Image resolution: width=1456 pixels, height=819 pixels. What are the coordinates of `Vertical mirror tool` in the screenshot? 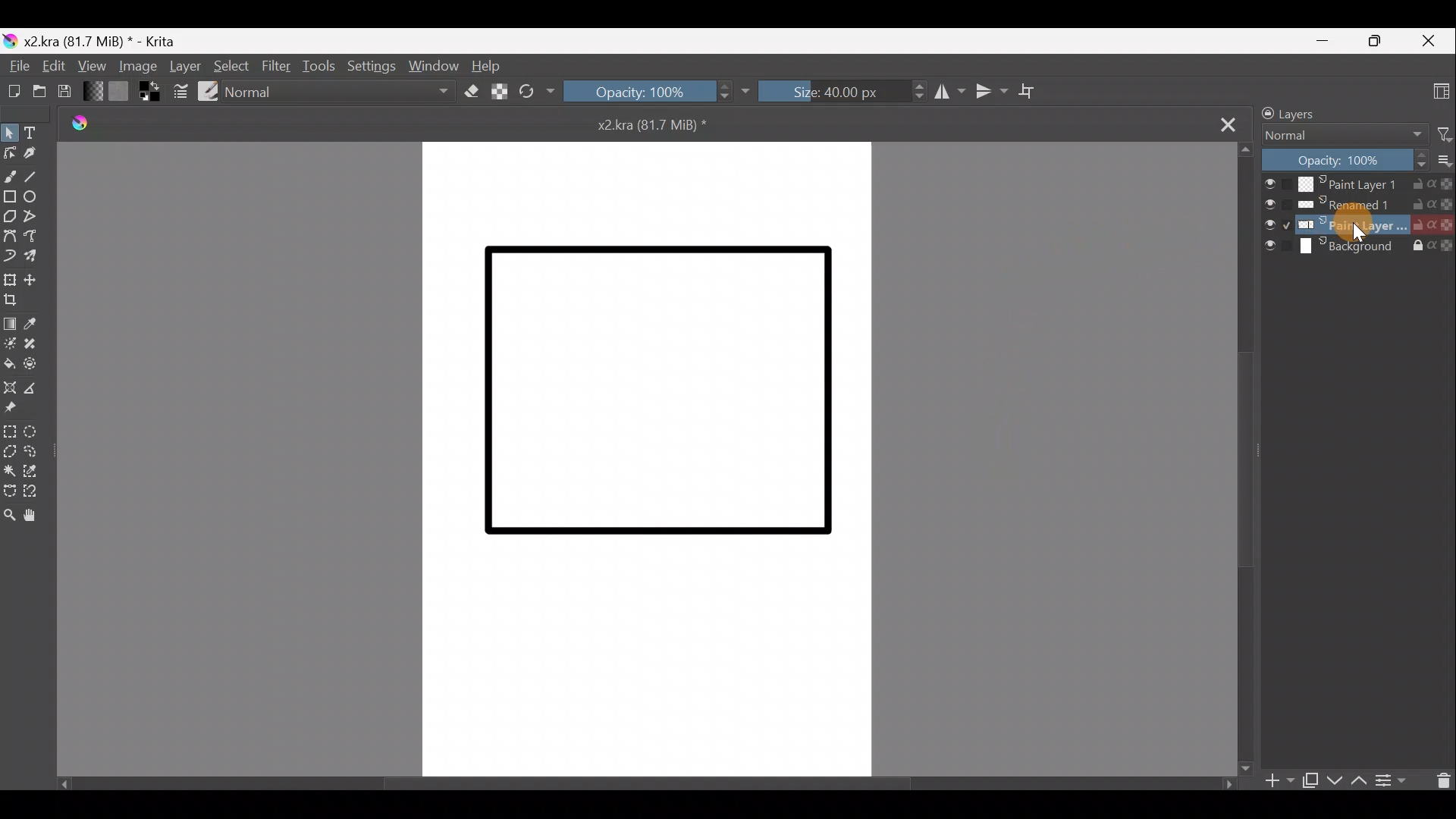 It's located at (991, 86).